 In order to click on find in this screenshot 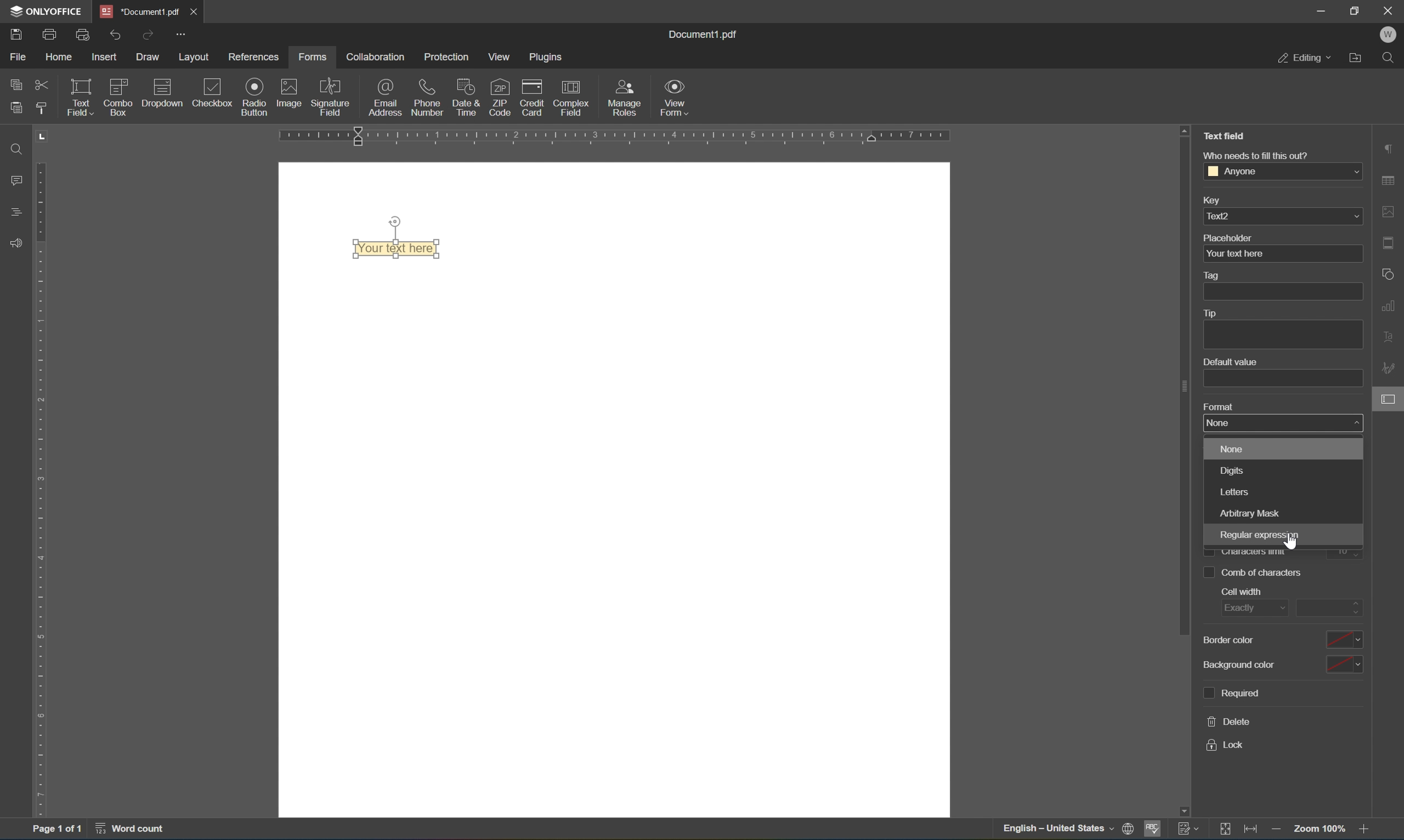, I will do `click(1390, 58)`.